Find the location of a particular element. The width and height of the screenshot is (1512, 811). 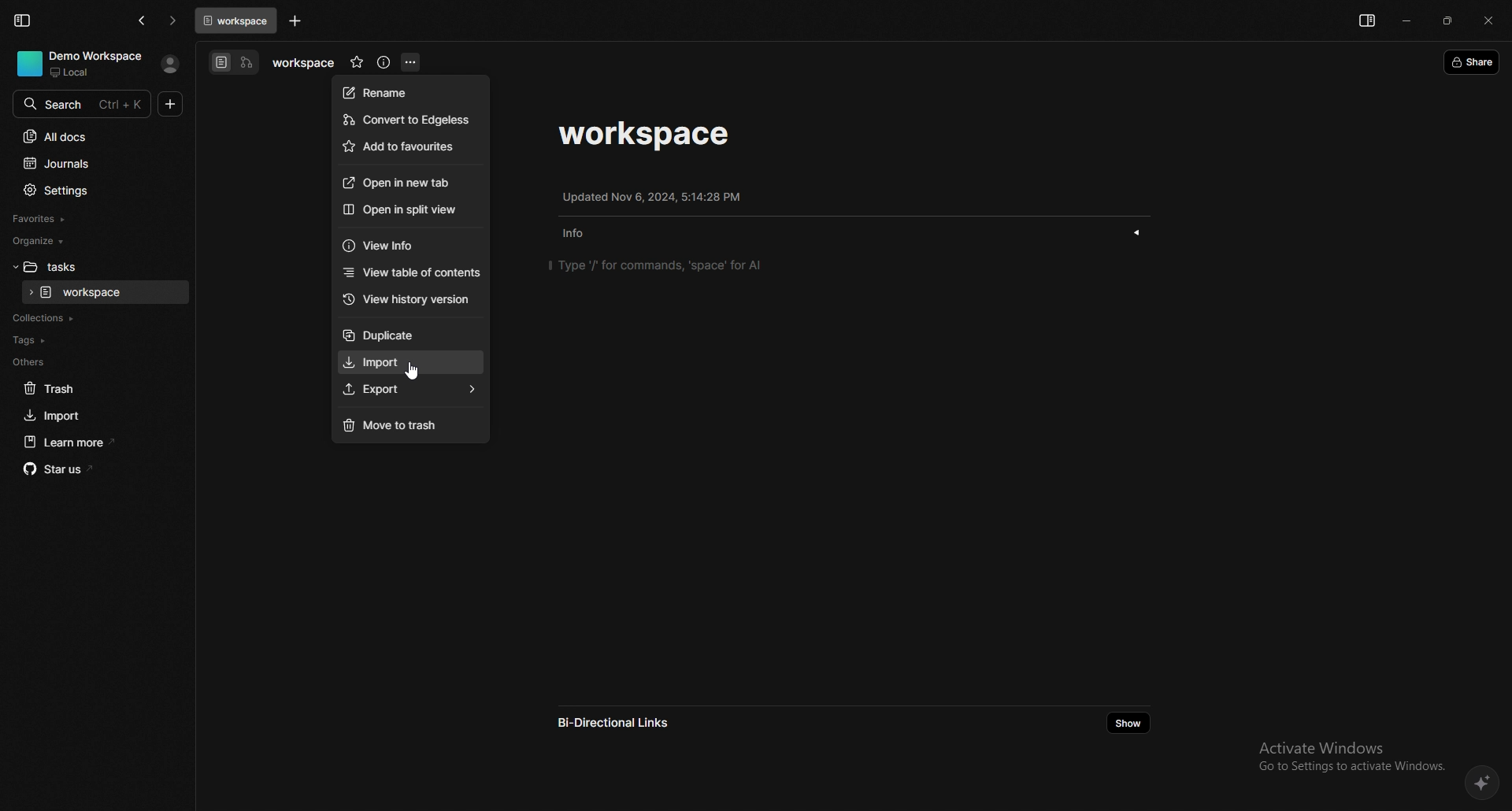

open in new tab is located at coordinates (409, 182).